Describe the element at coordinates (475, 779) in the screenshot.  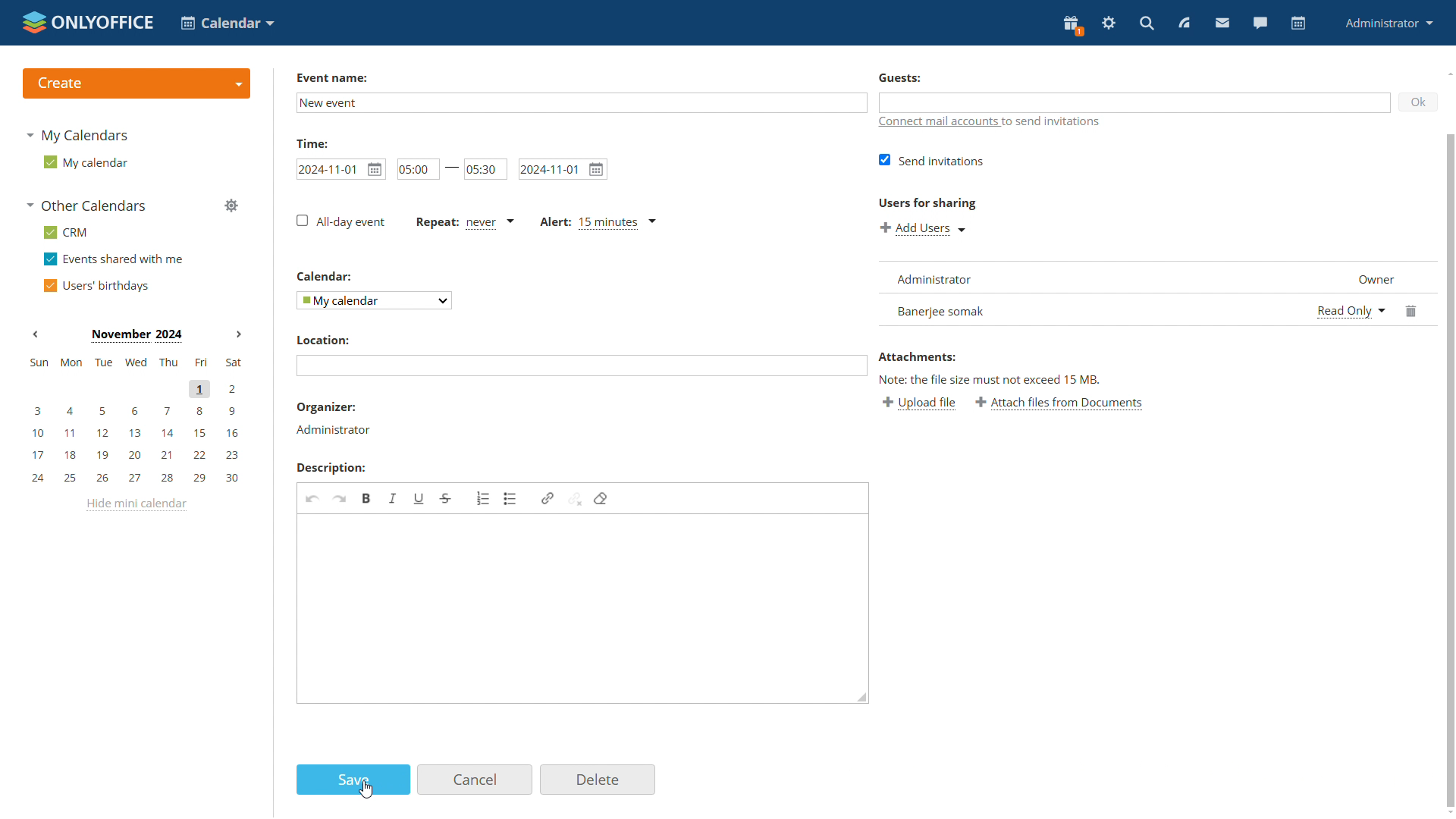
I see `cancel` at that location.